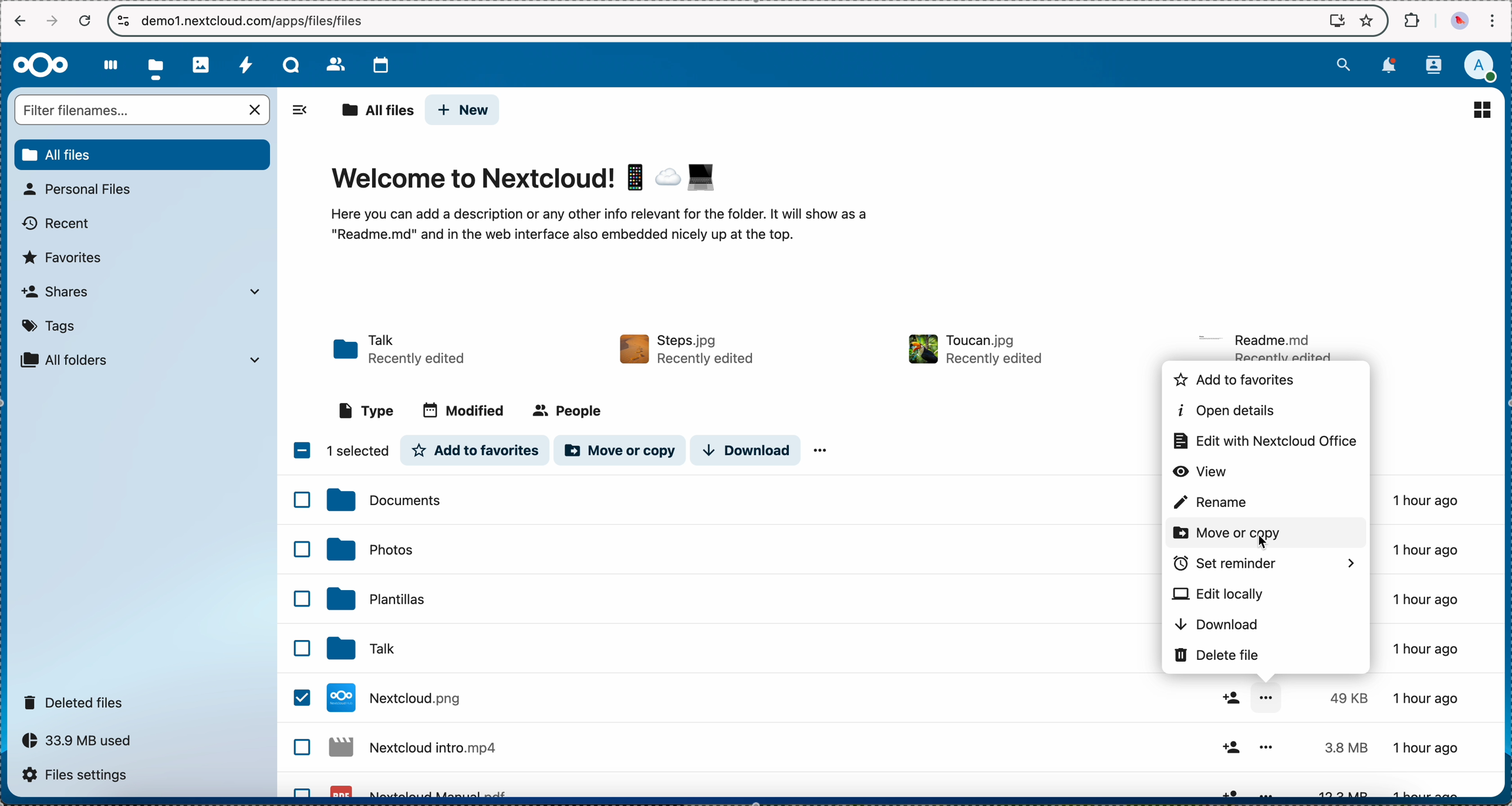 Image resolution: width=1512 pixels, height=806 pixels. I want to click on Talk, so click(891, 698).